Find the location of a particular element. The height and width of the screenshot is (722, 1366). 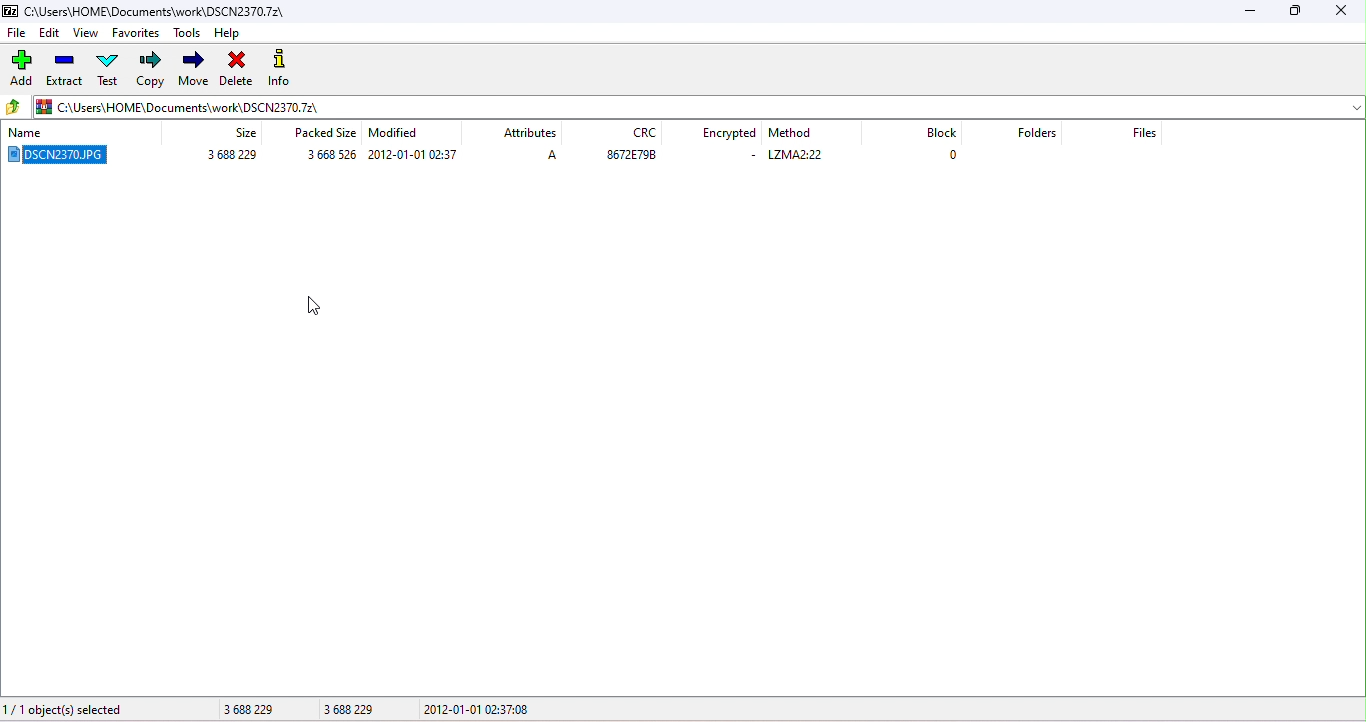

A is located at coordinates (552, 153).